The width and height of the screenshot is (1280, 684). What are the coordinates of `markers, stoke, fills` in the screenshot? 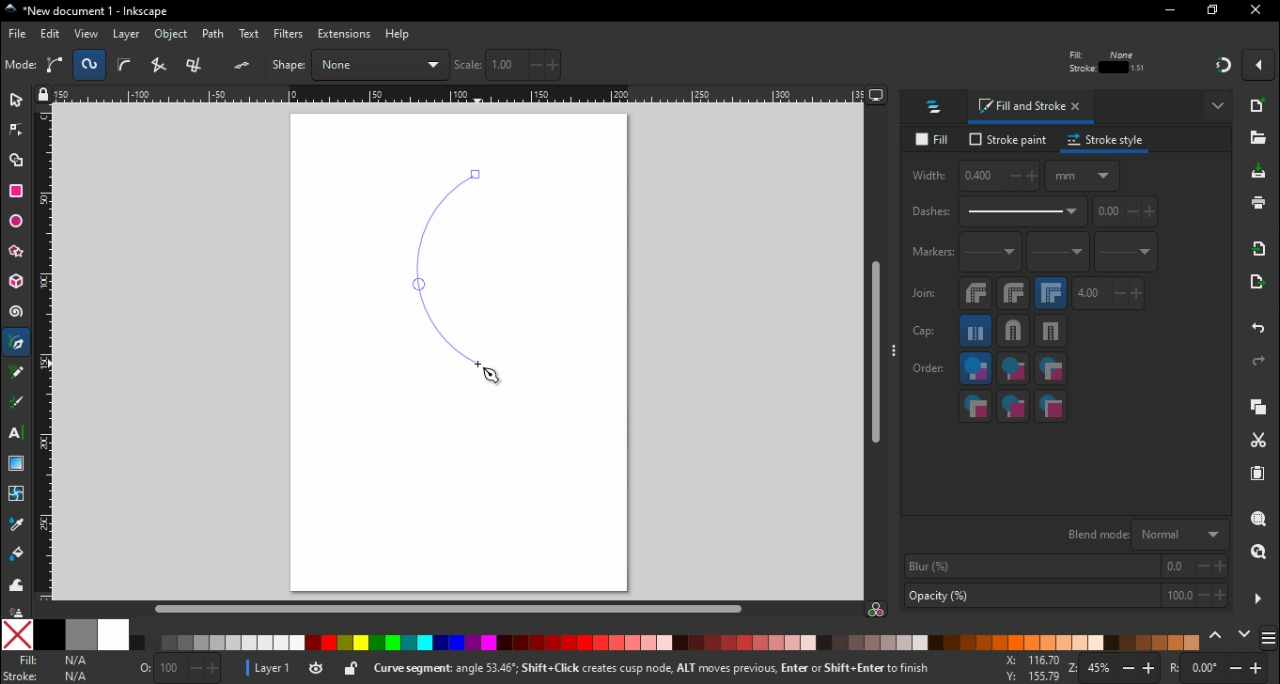 It's located at (1052, 407).